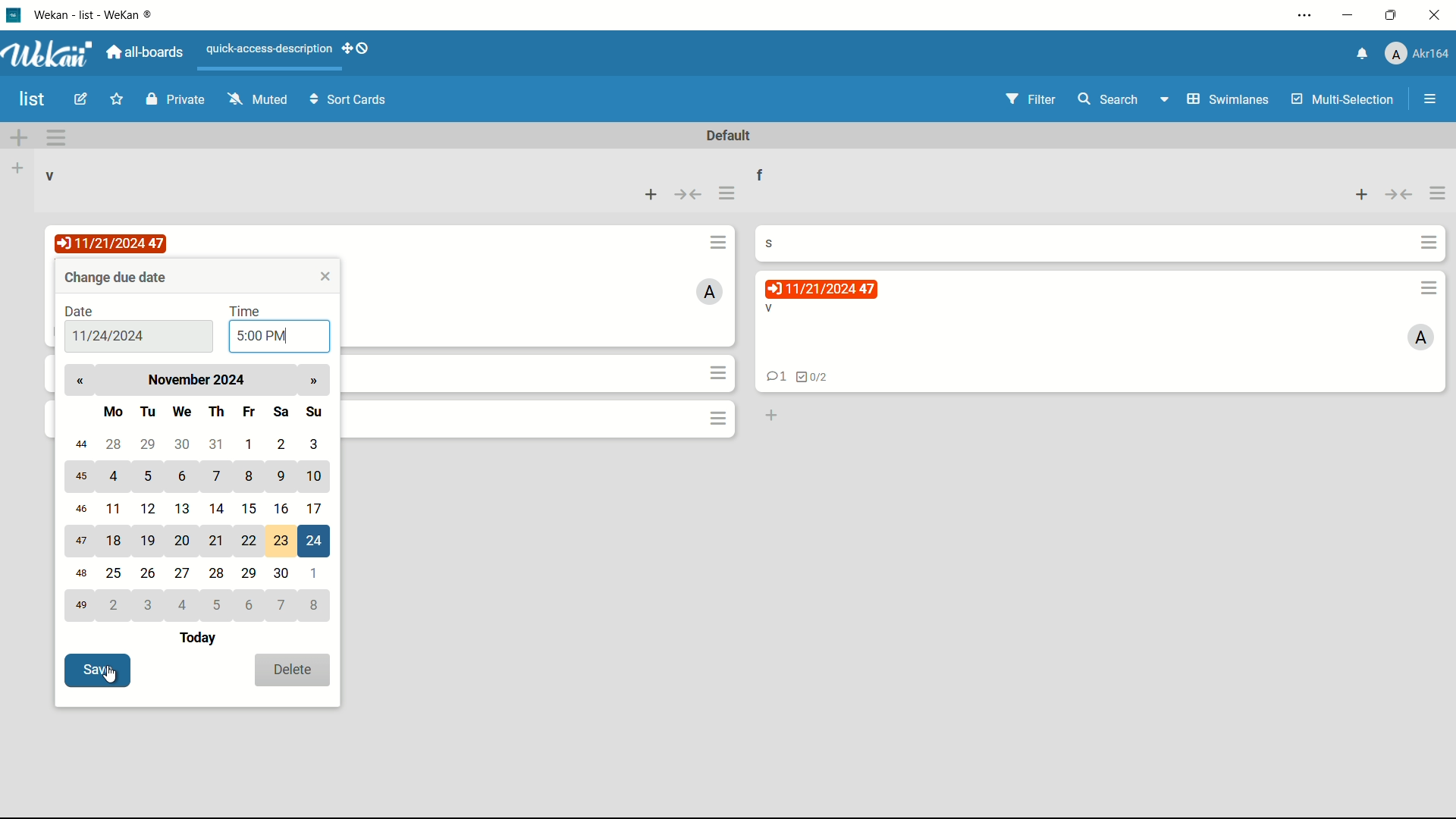 This screenshot has height=819, width=1456. Describe the element at coordinates (720, 372) in the screenshot. I see `card actions` at that location.